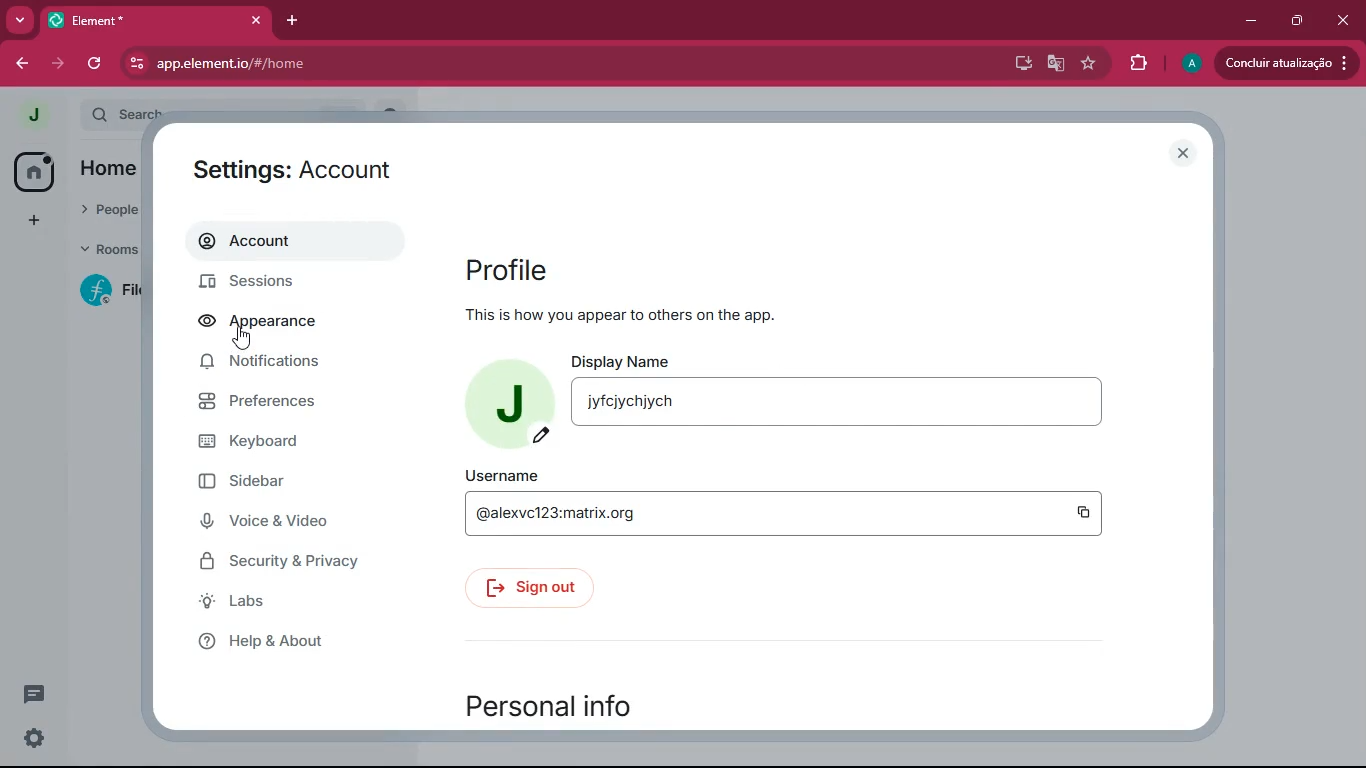  What do you see at coordinates (32, 694) in the screenshot?
I see `message` at bounding box center [32, 694].